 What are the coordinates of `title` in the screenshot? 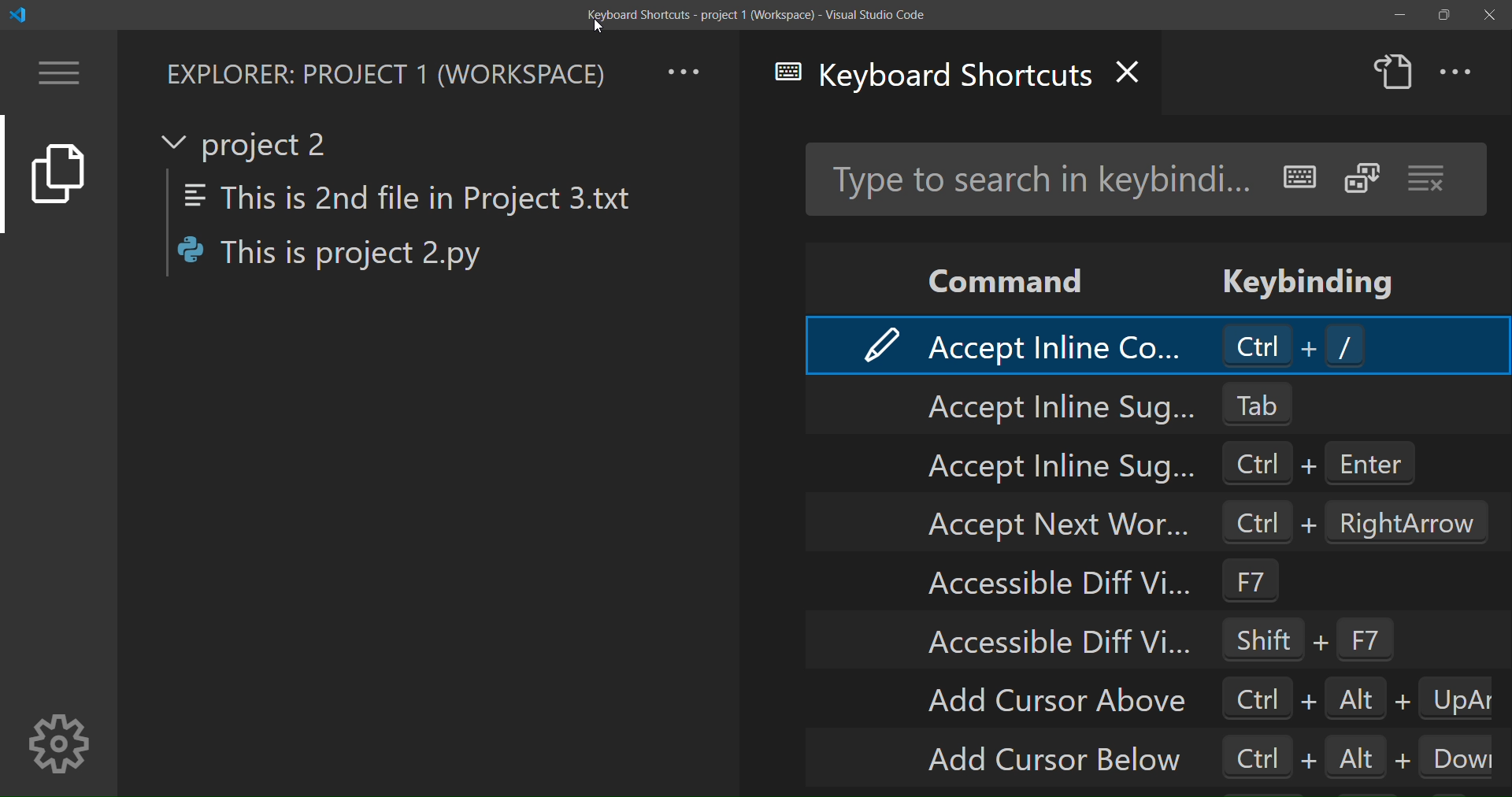 It's located at (750, 14).